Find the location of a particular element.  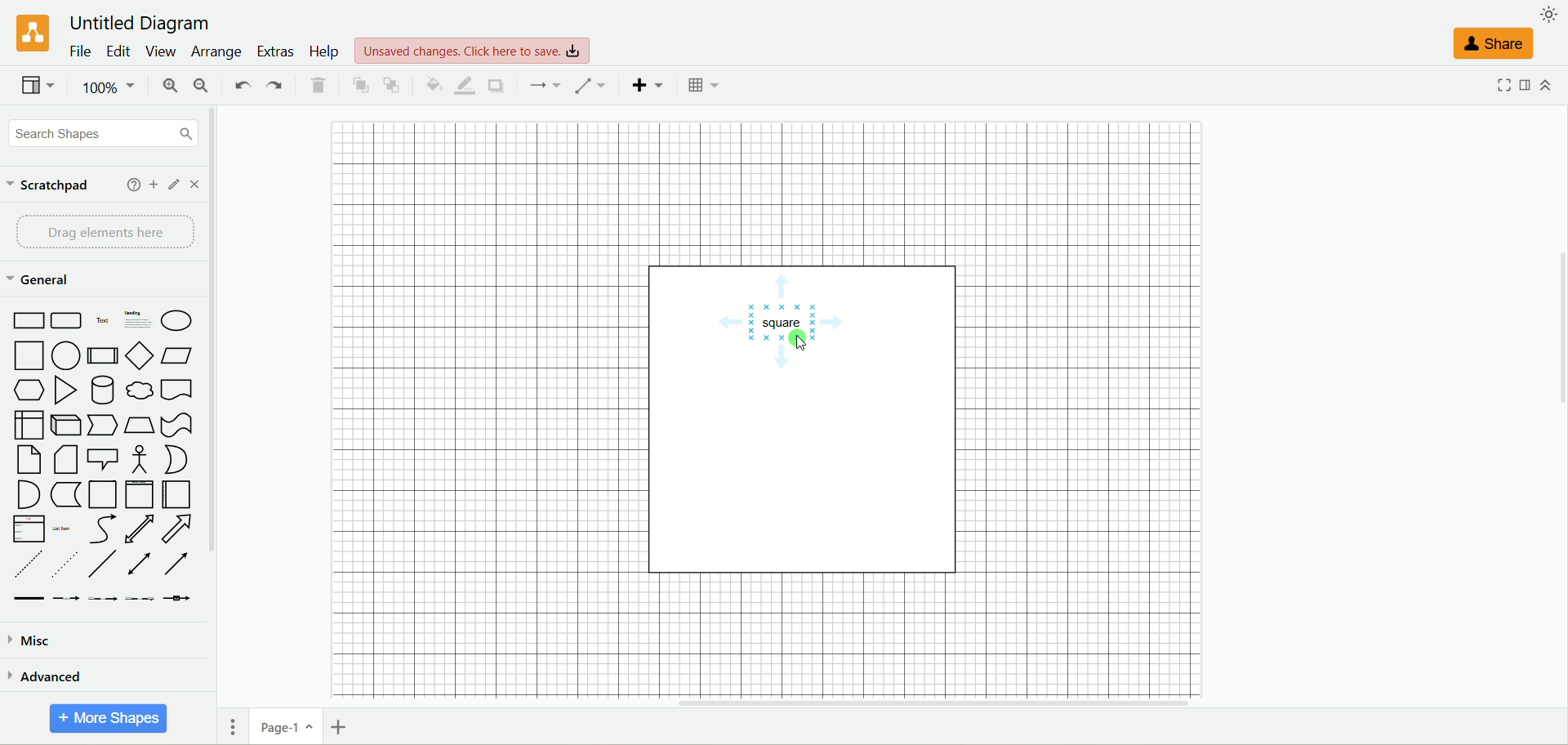

connection is located at coordinates (548, 87).